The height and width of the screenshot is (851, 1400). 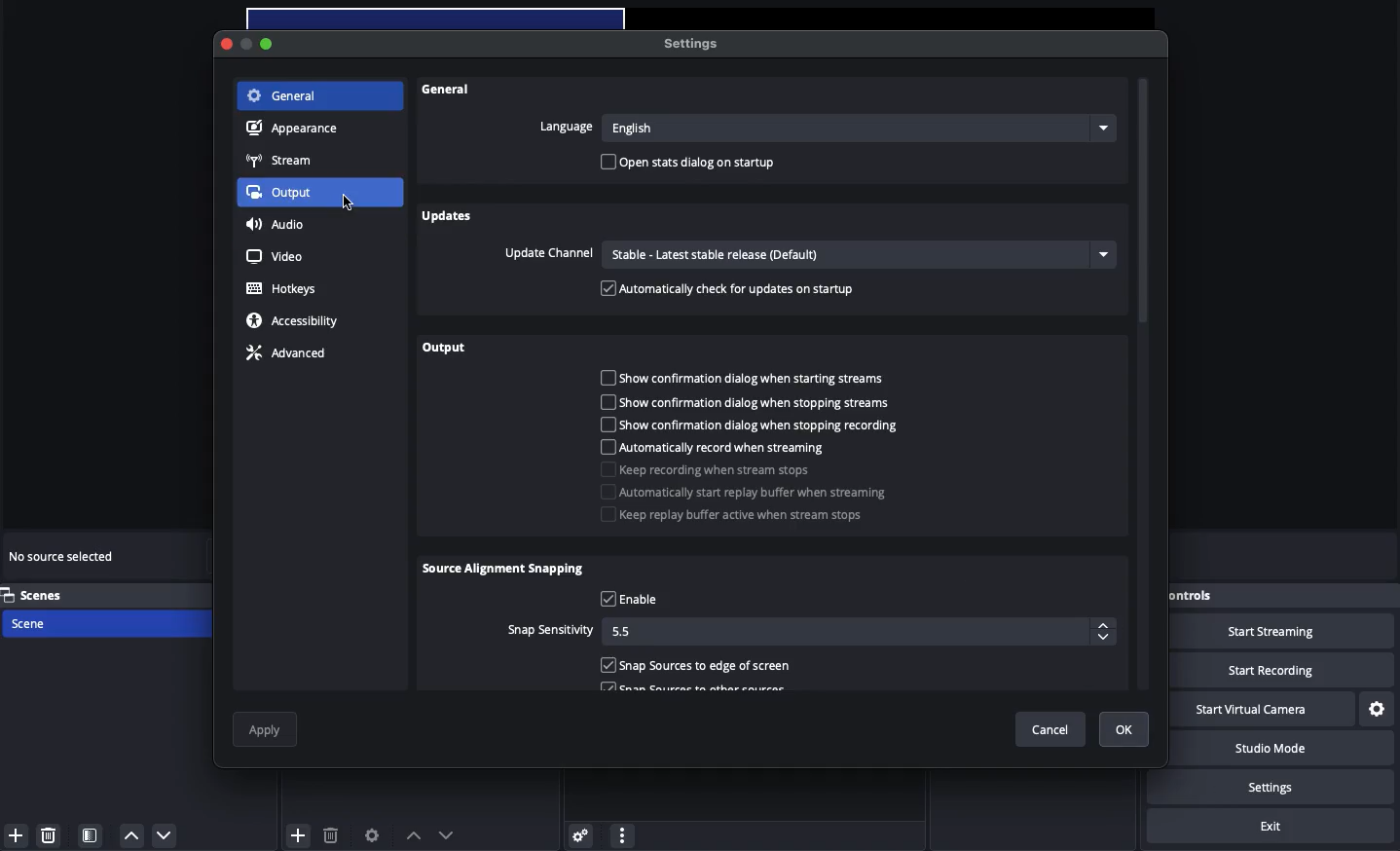 What do you see at coordinates (710, 468) in the screenshot?
I see `Keep recording when stream stops` at bounding box center [710, 468].